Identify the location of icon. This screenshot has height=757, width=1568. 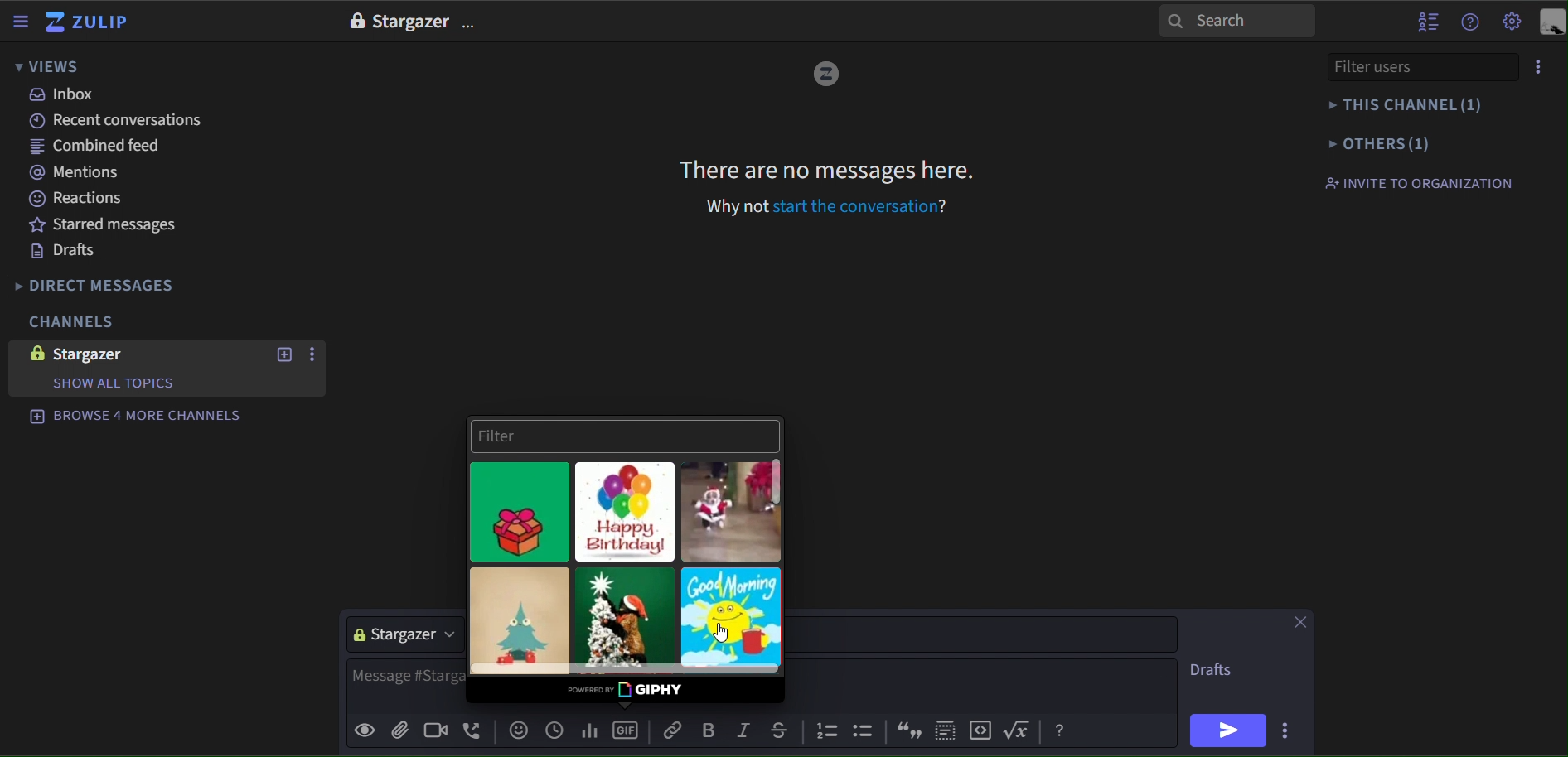
(907, 730).